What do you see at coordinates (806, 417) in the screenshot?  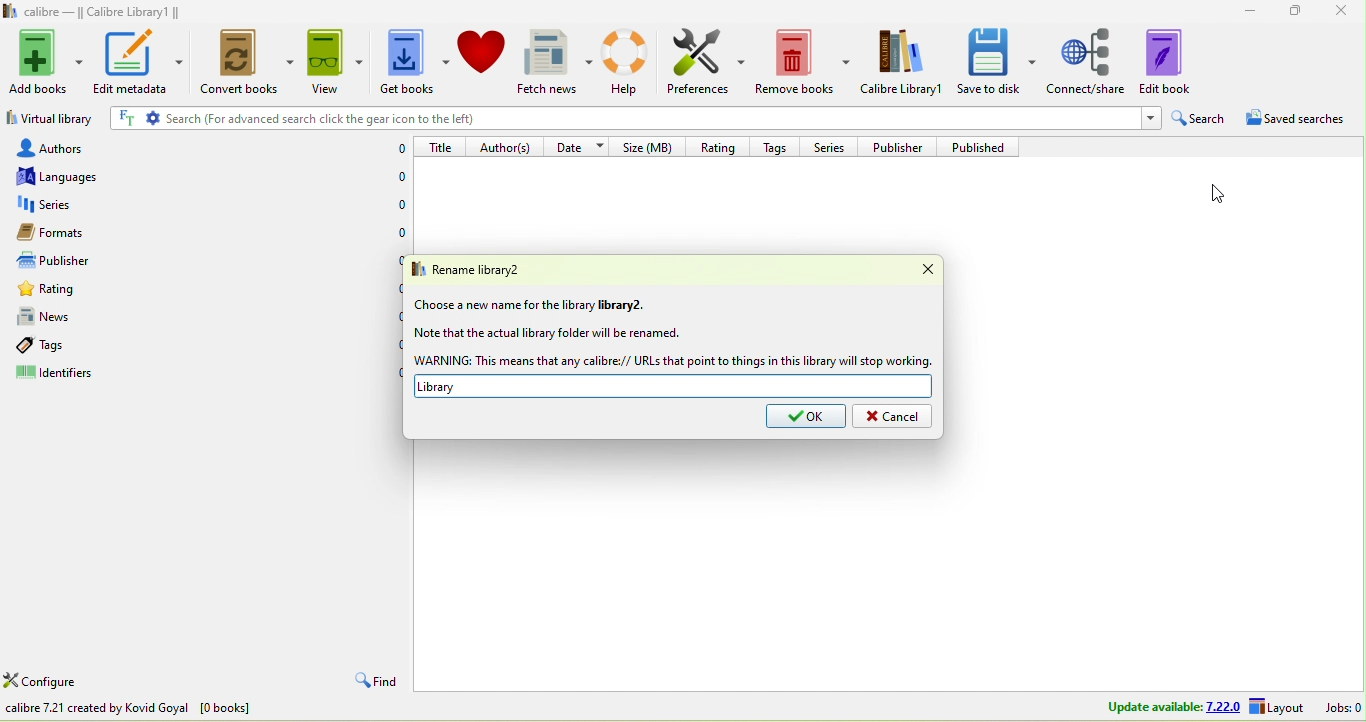 I see `ok` at bounding box center [806, 417].